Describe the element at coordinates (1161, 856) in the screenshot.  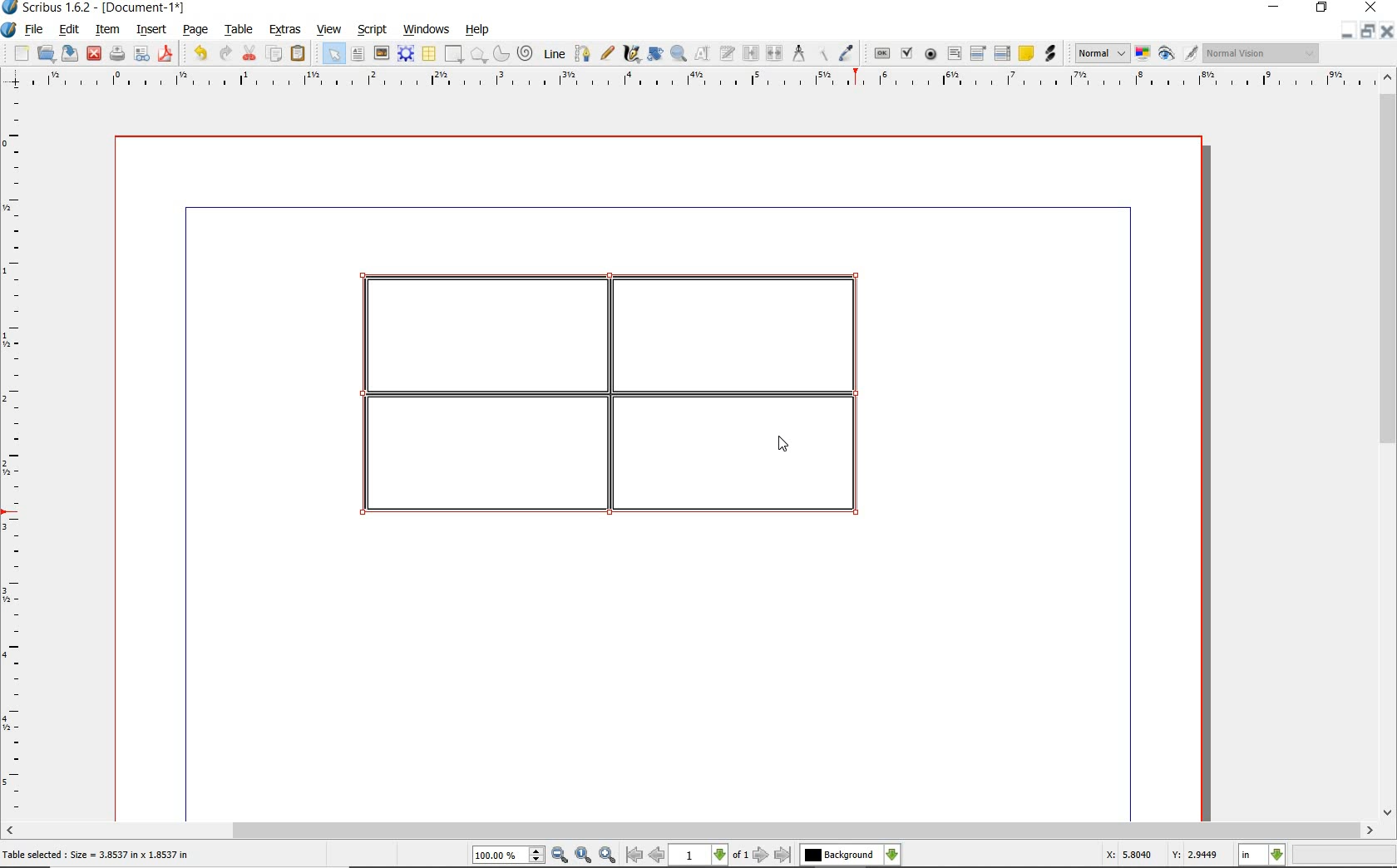
I see `X: 5.8040 Y: 2.9449` at that location.